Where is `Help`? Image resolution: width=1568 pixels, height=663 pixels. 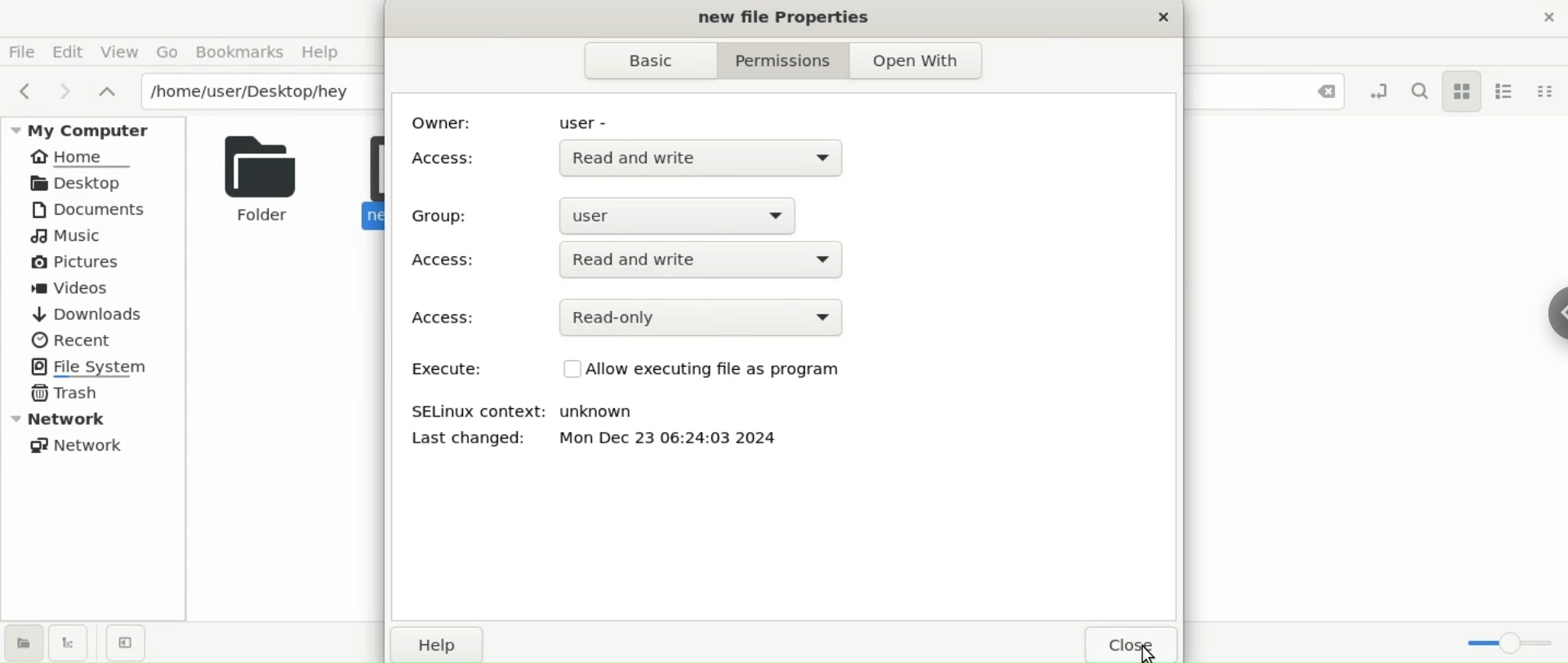 Help is located at coordinates (327, 52).